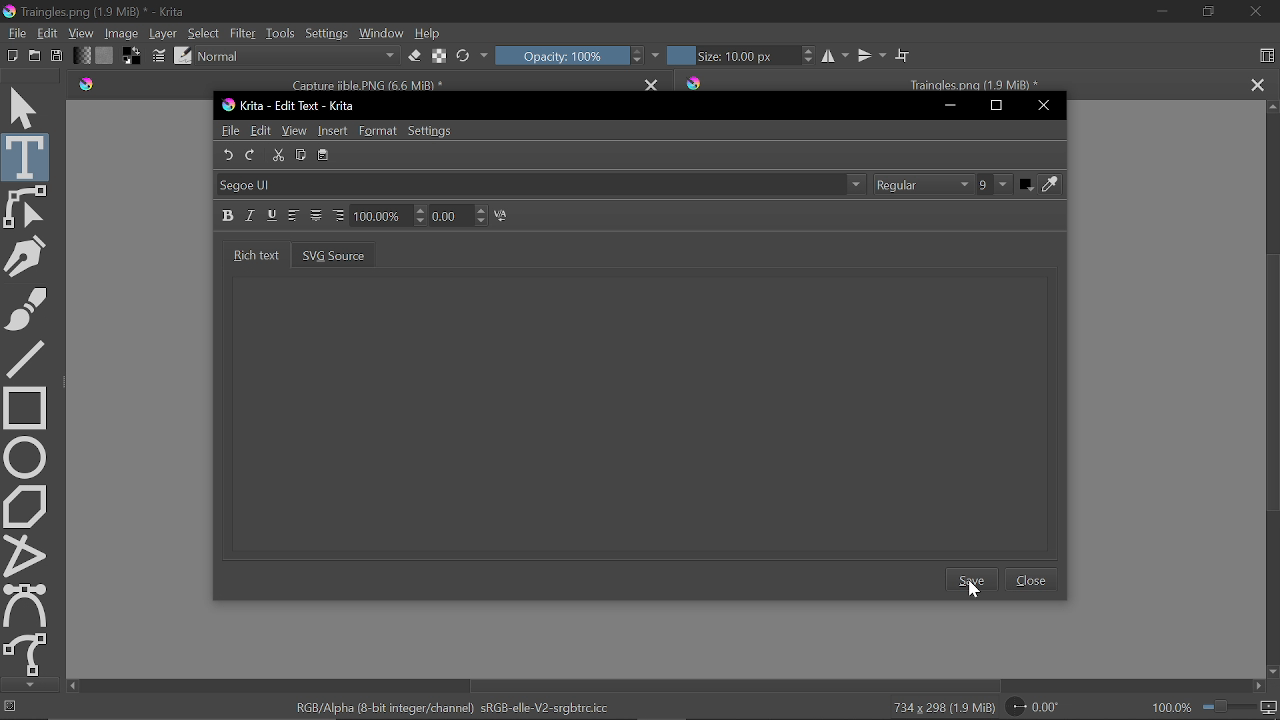 The width and height of the screenshot is (1280, 720). Describe the element at coordinates (922, 185) in the screenshot. I see `Regular` at that location.